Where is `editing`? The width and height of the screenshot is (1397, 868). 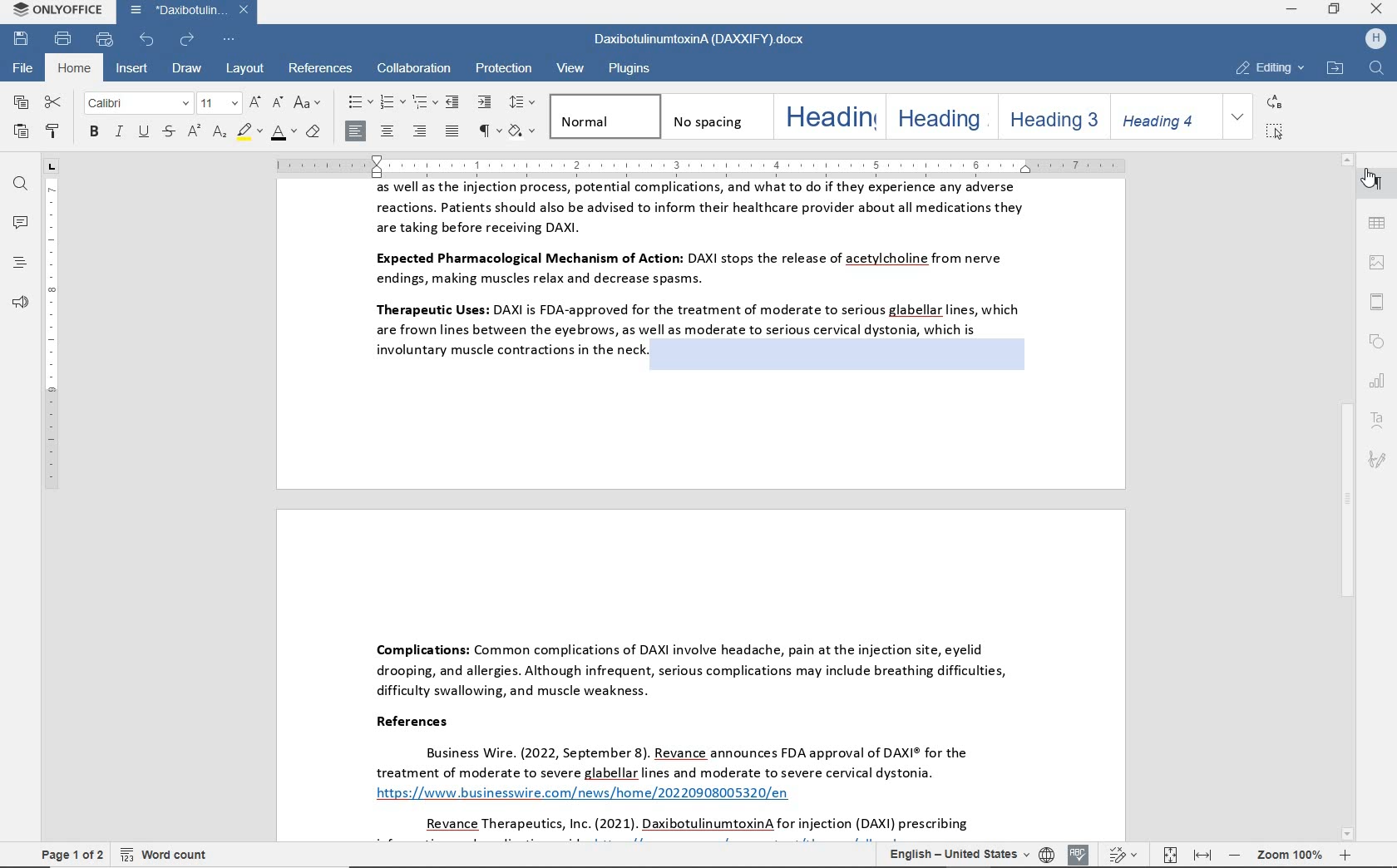 editing is located at coordinates (1270, 68).